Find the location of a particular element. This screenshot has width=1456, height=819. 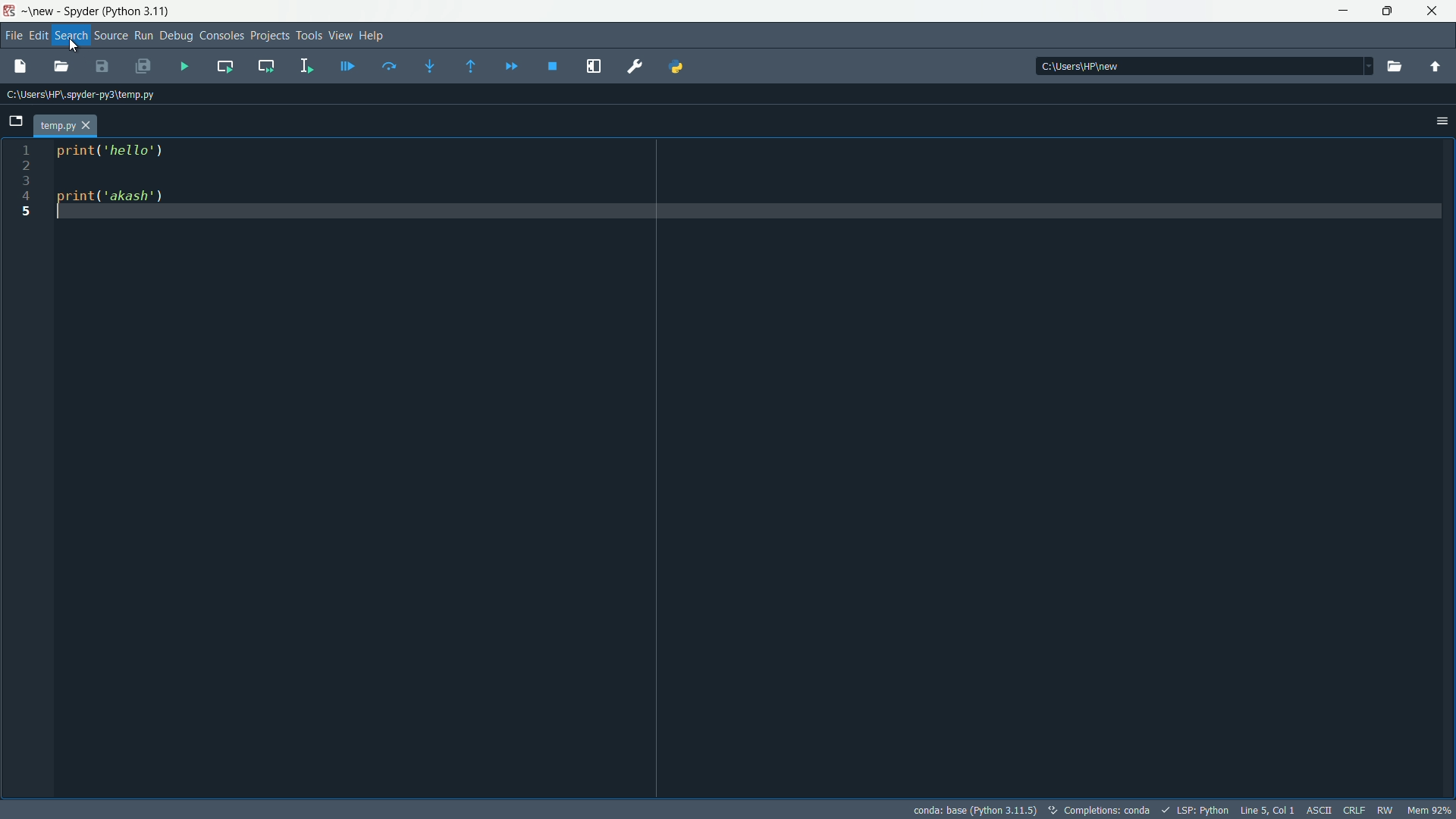

Debug Menu is located at coordinates (175, 36).